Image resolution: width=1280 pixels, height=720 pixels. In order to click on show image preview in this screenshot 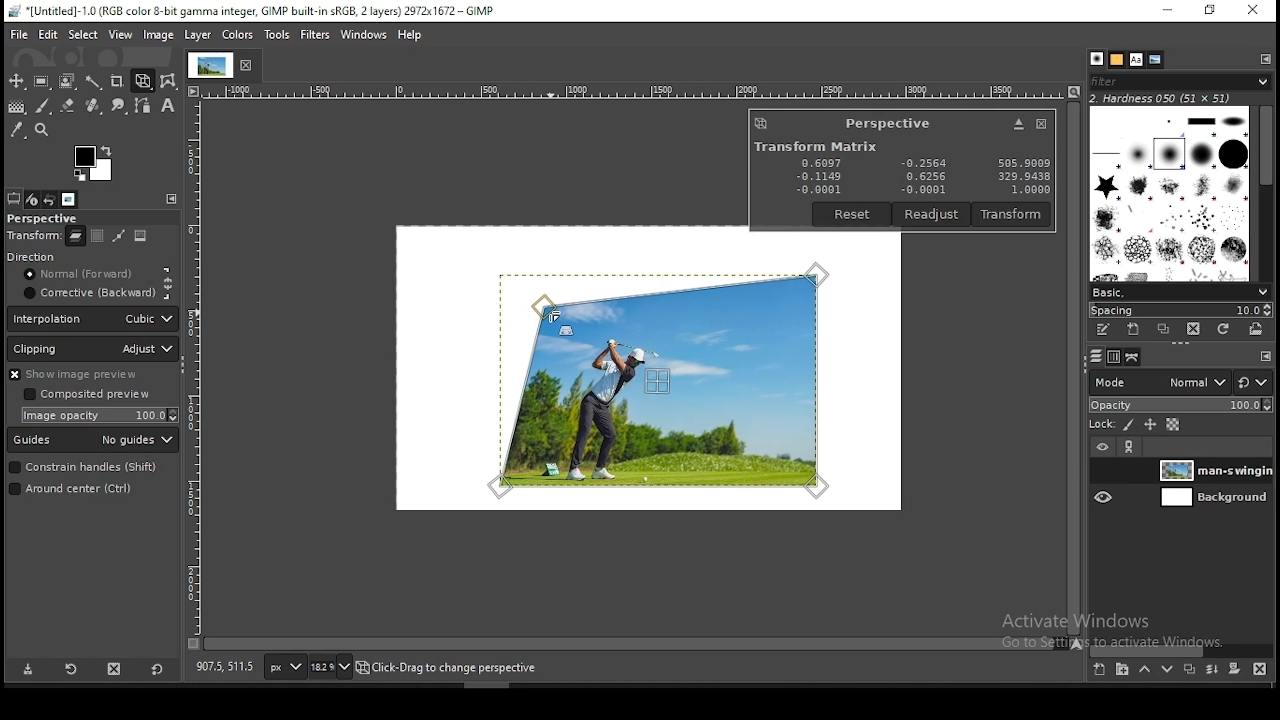, I will do `click(88, 374)`.